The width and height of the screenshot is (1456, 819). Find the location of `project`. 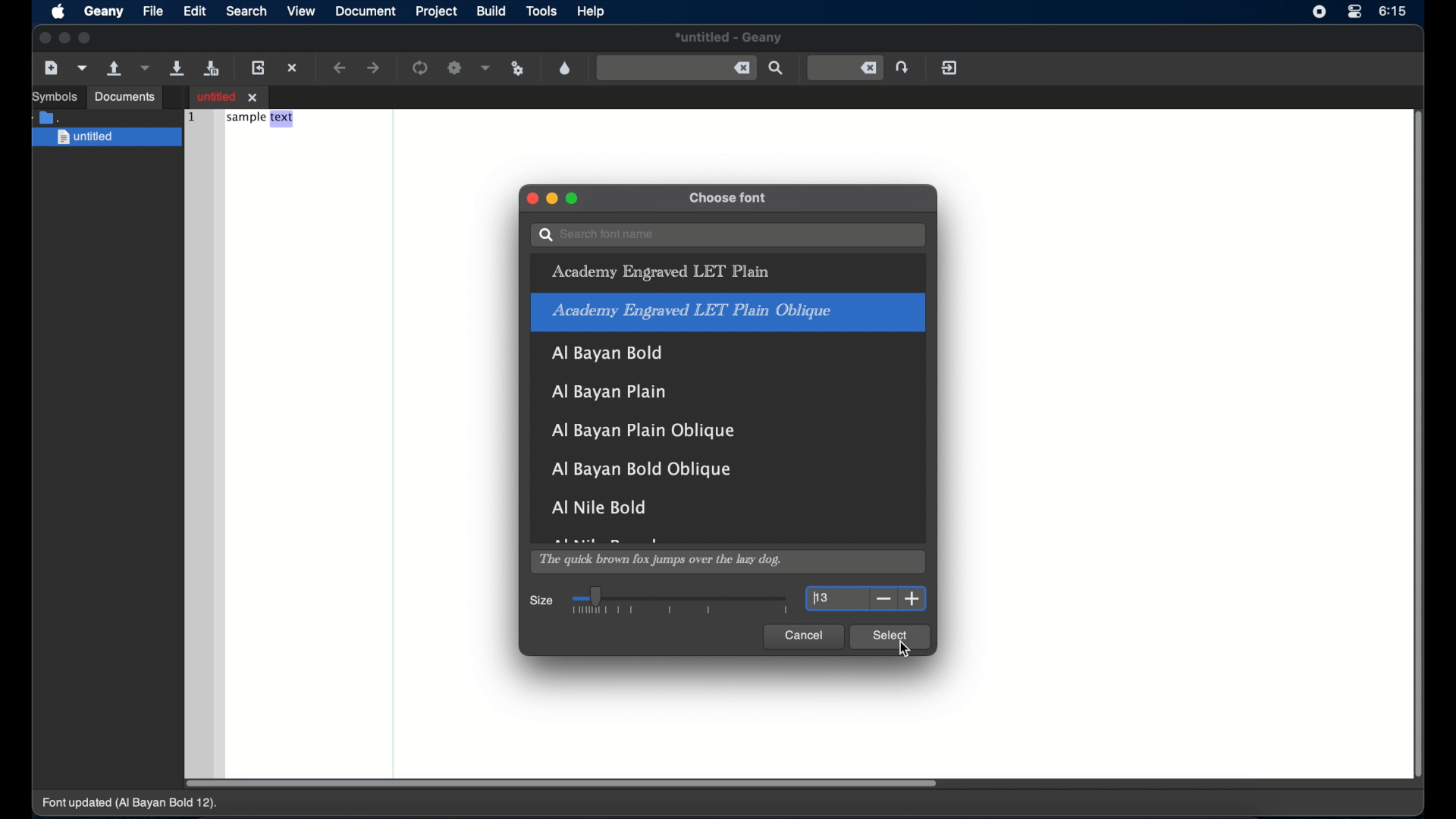

project is located at coordinates (435, 11).